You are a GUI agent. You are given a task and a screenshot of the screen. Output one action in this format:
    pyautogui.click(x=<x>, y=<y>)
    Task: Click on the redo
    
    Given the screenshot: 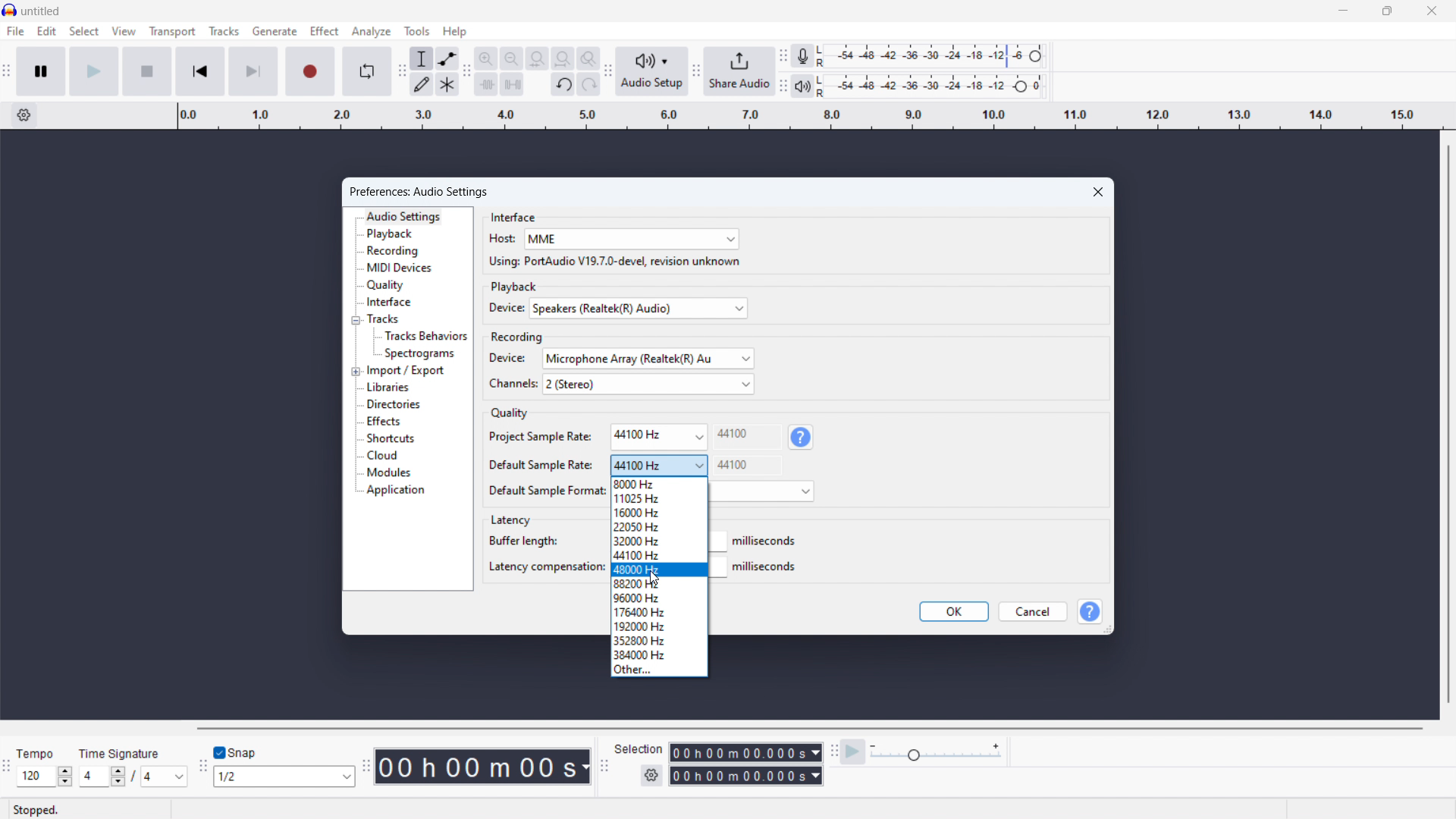 What is the action you would take?
    pyautogui.click(x=588, y=84)
    